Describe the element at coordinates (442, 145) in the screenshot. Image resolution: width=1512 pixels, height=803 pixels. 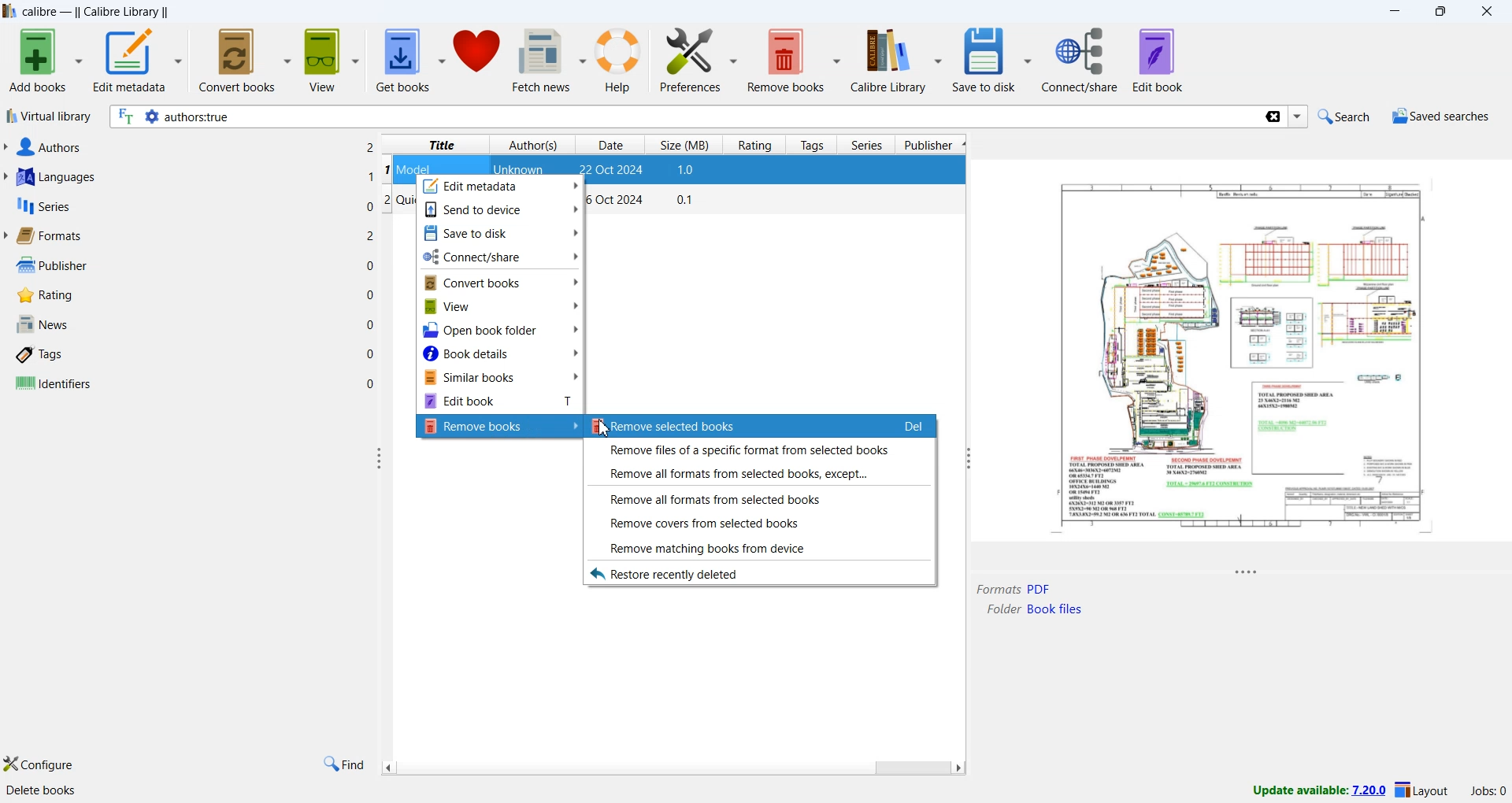
I see `title` at that location.